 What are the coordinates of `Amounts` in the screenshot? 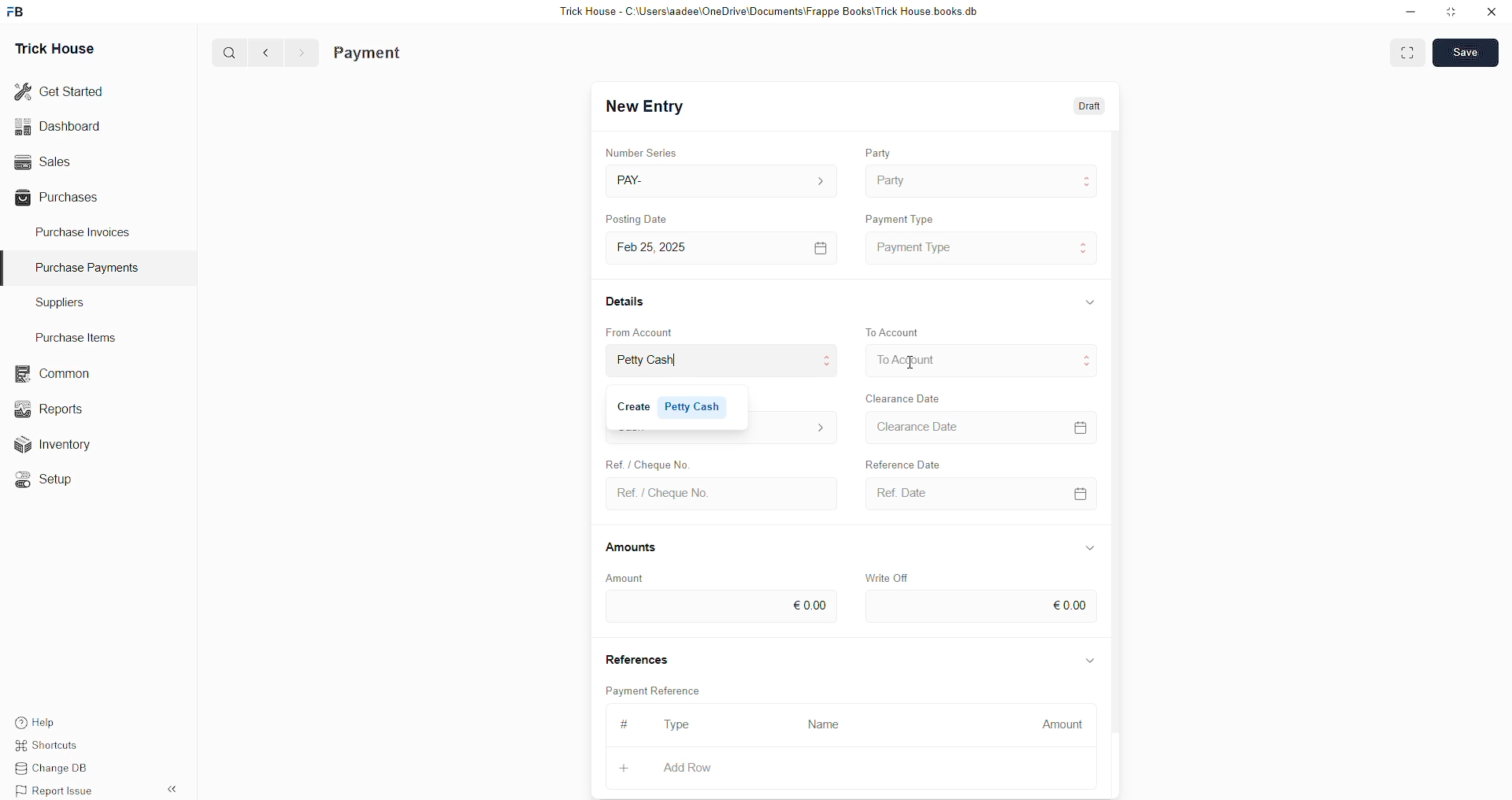 It's located at (638, 548).